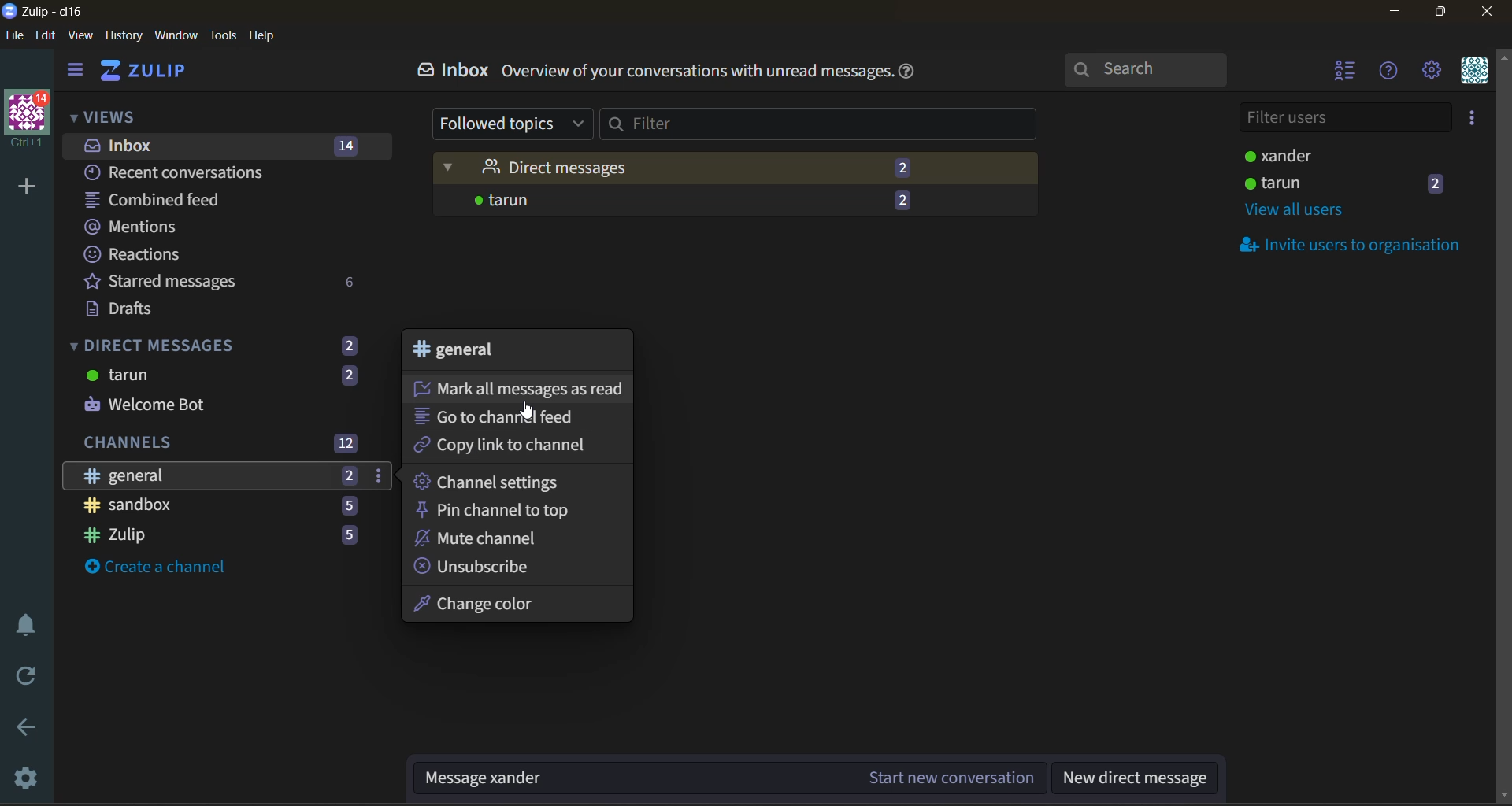  Describe the element at coordinates (16, 35) in the screenshot. I see `file` at that location.